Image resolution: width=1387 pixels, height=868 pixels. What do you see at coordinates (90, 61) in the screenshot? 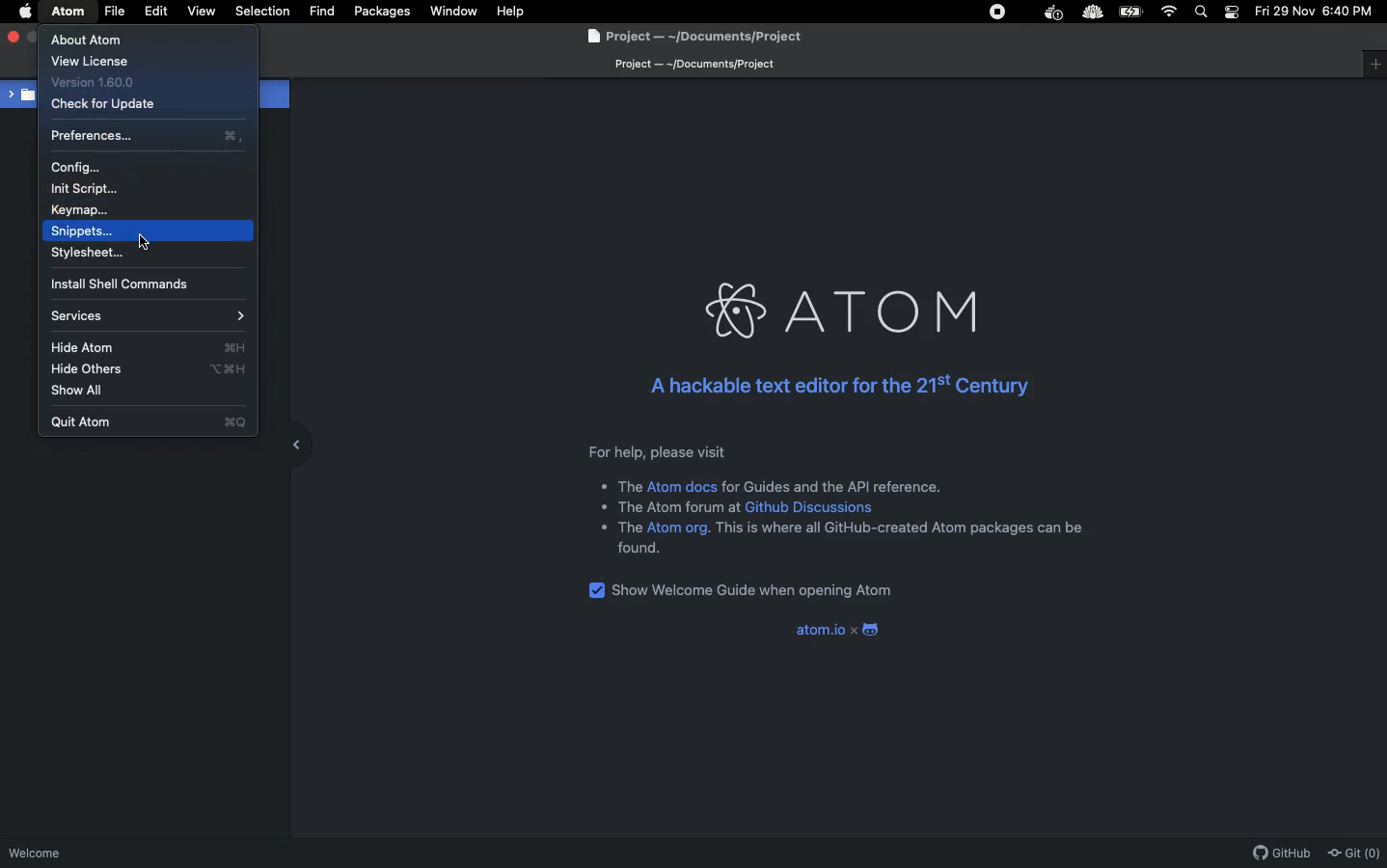
I see `View license` at bounding box center [90, 61].